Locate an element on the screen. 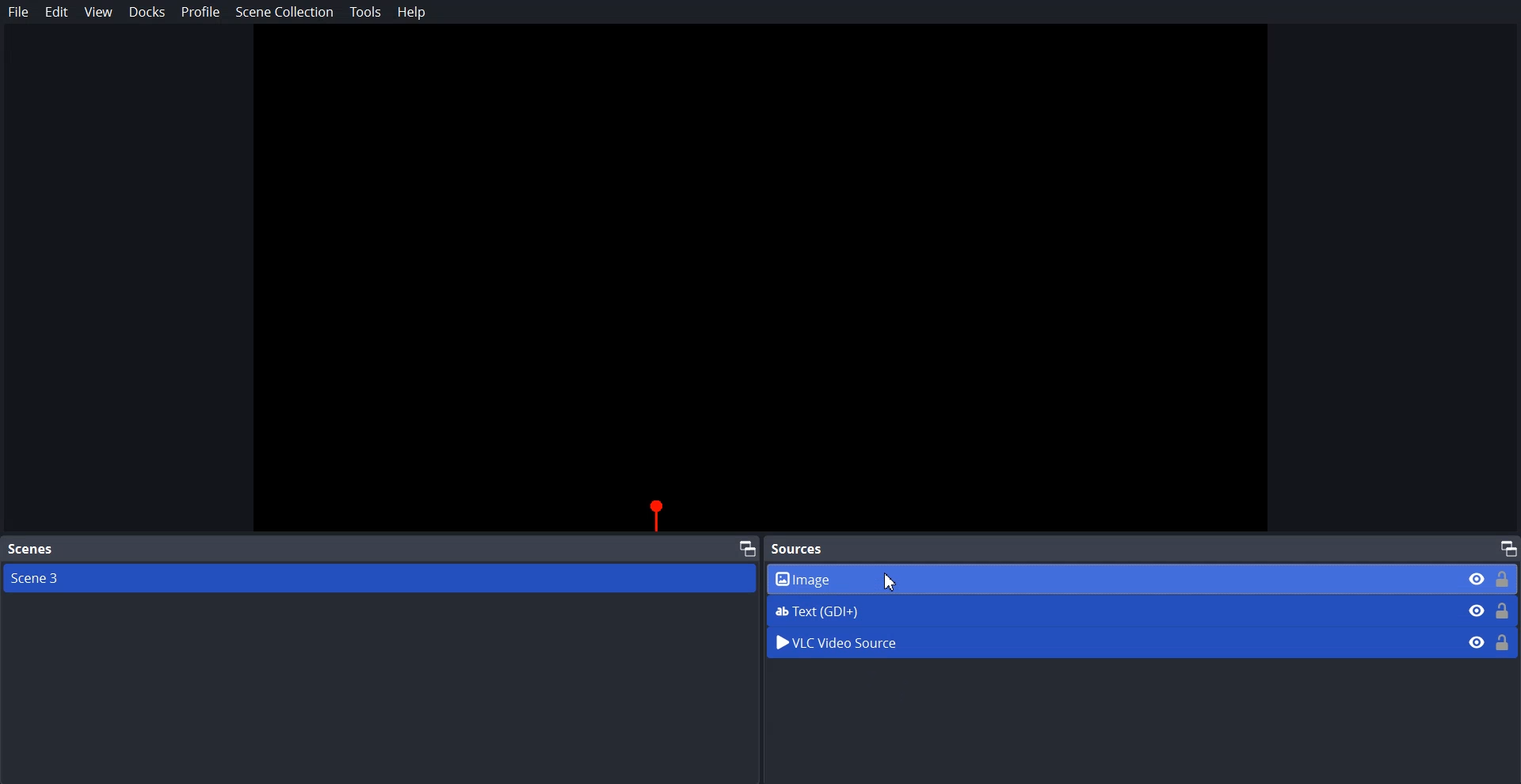 This screenshot has width=1521, height=784. Text (GDI+) is located at coordinates (1143, 611).